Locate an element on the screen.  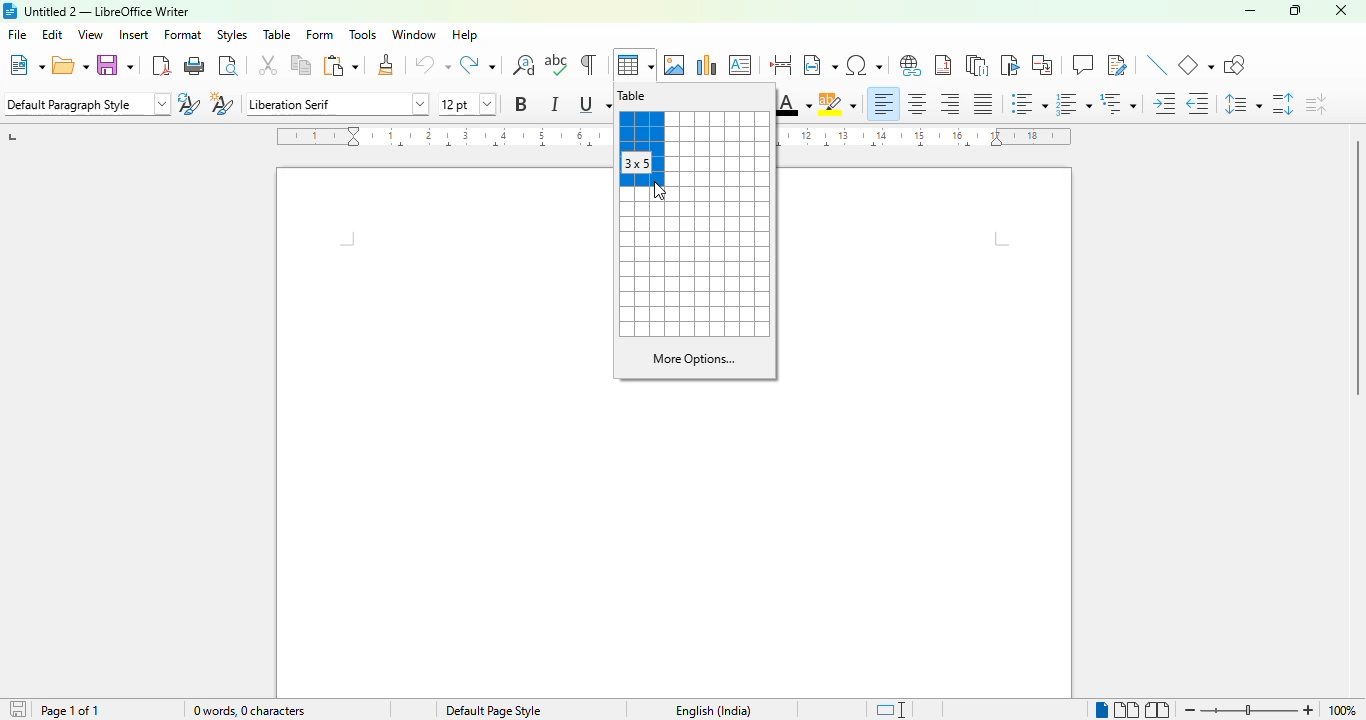
bold is located at coordinates (522, 104).